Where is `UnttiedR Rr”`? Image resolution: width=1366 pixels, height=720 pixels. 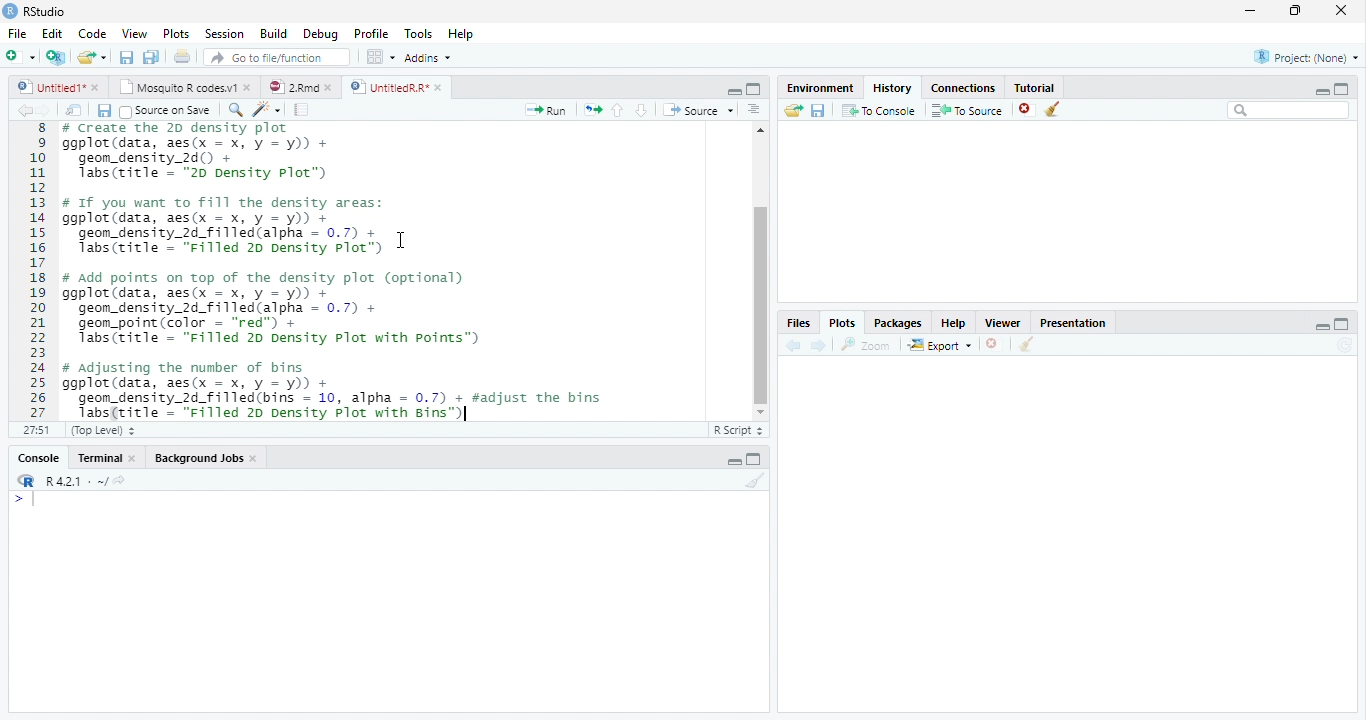 UnttiedR Rr” is located at coordinates (387, 86).